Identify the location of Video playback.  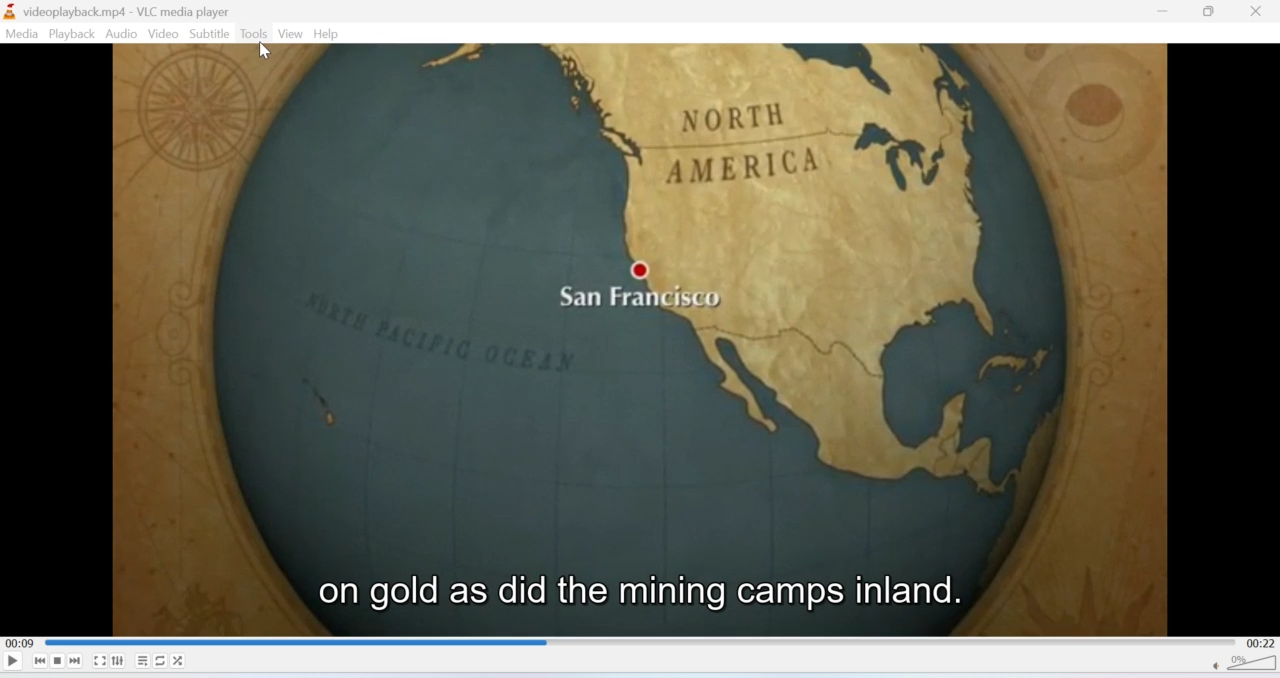
(640, 352).